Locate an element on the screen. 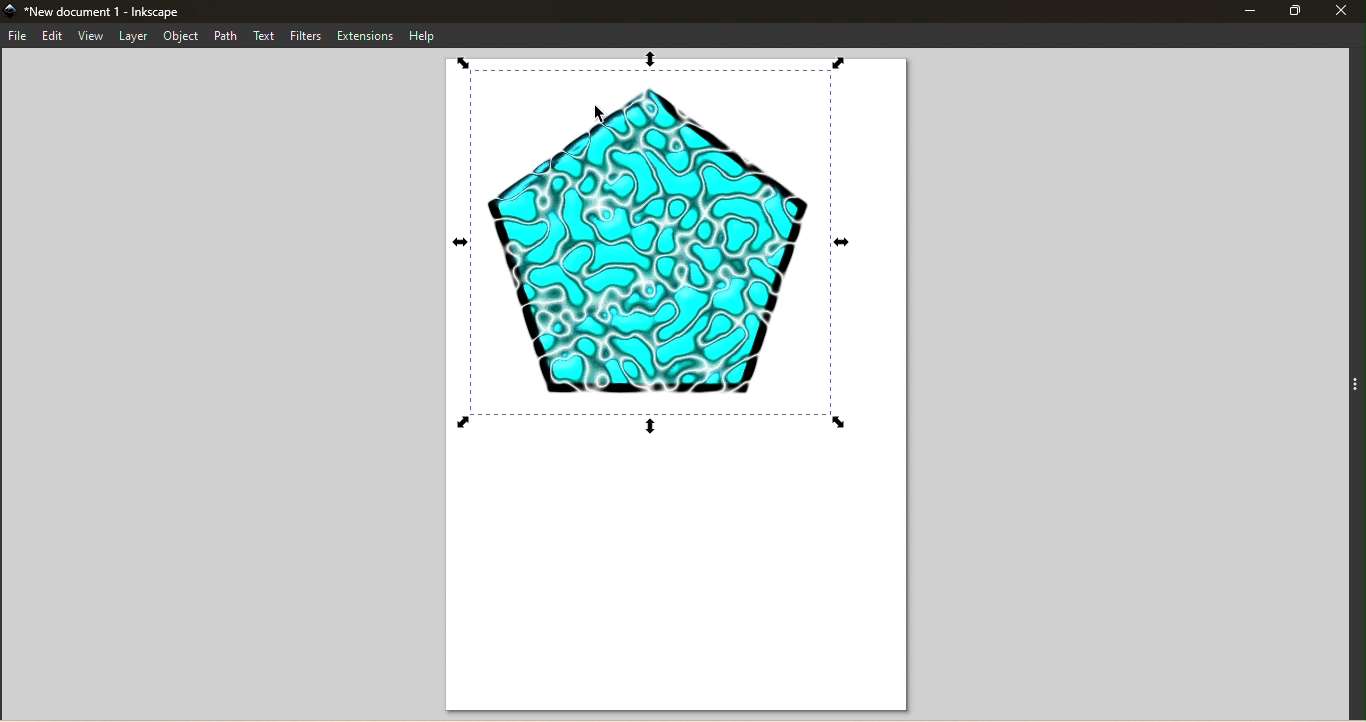 Image resolution: width=1366 pixels, height=722 pixels. View is located at coordinates (89, 36).